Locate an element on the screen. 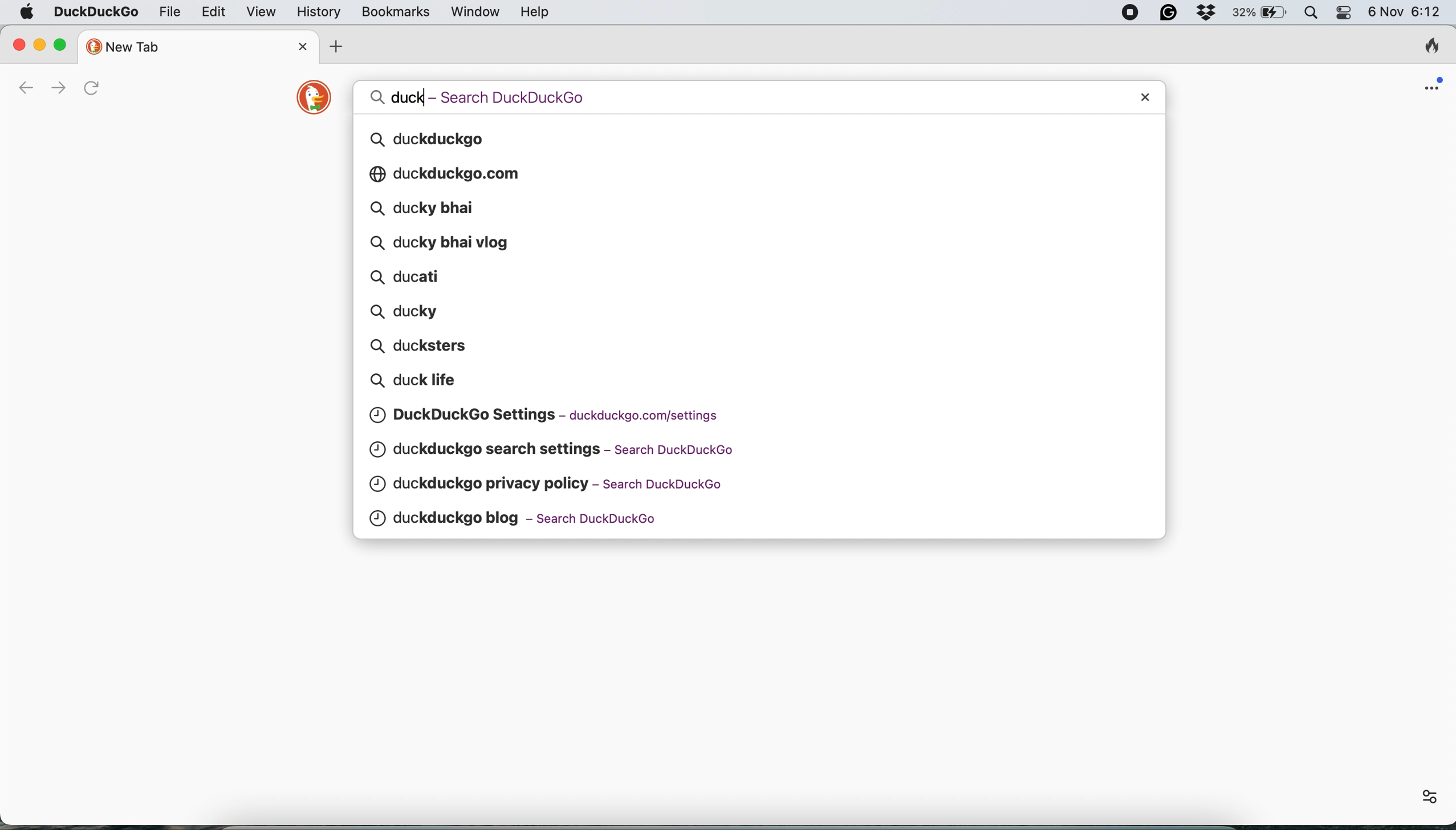 Image resolution: width=1456 pixels, height=830 pixels. duckduckgo.com is located at coordinates (461, 173).